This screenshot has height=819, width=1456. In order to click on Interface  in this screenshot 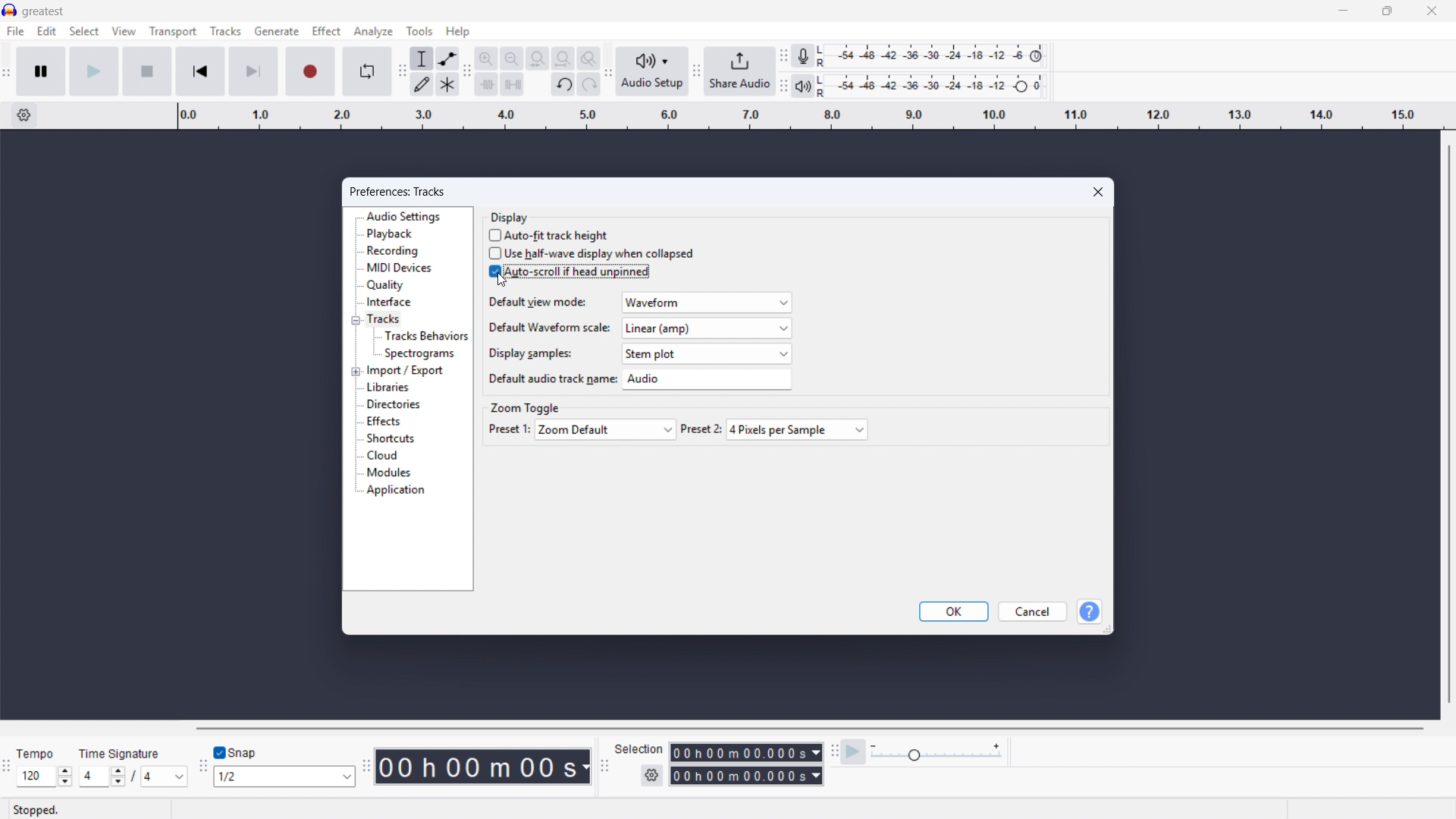, I will do `click(390, 302)`.